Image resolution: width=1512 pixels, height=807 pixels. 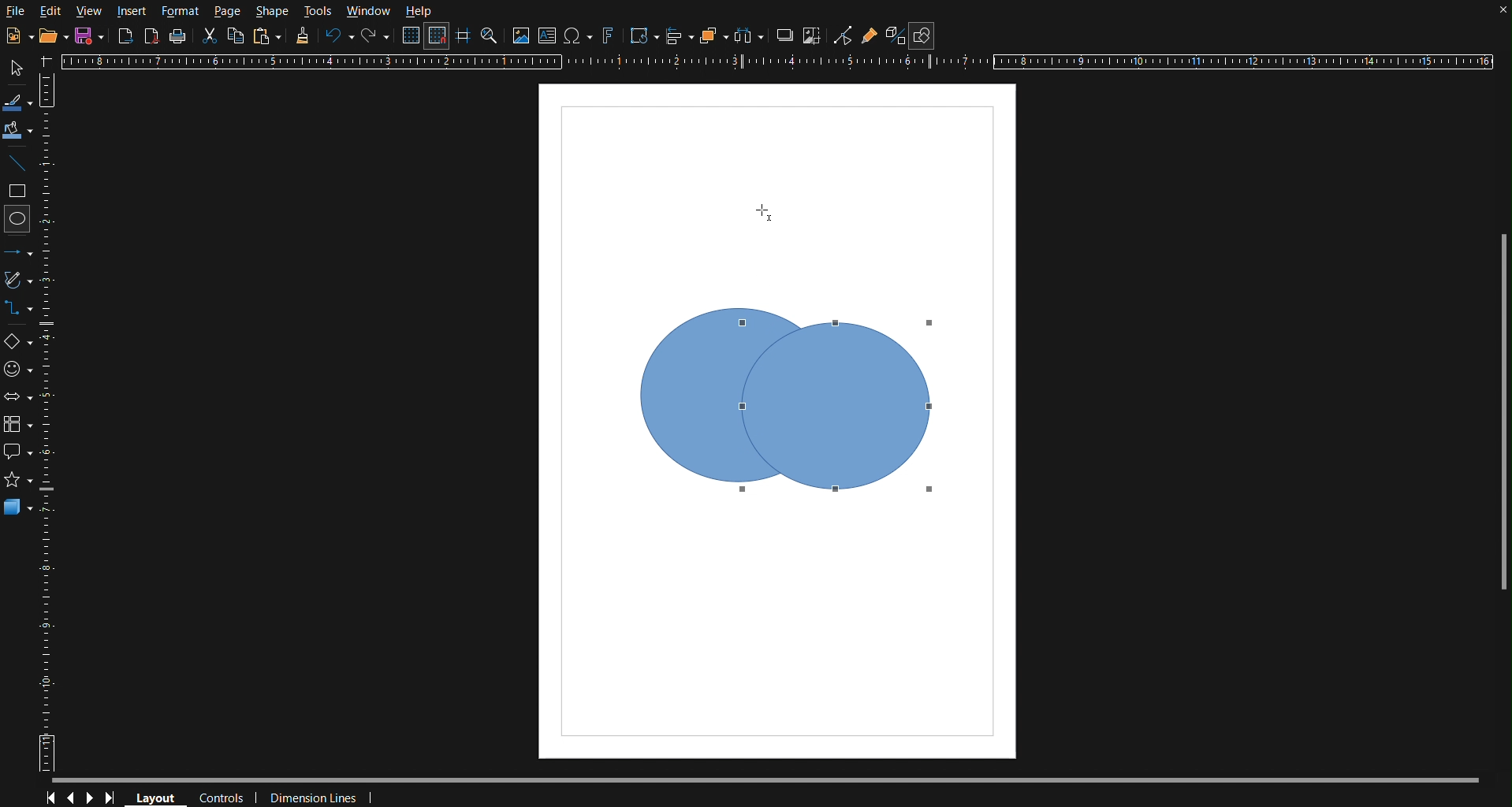 I want to click on Undo, so click(x=339, y=39).